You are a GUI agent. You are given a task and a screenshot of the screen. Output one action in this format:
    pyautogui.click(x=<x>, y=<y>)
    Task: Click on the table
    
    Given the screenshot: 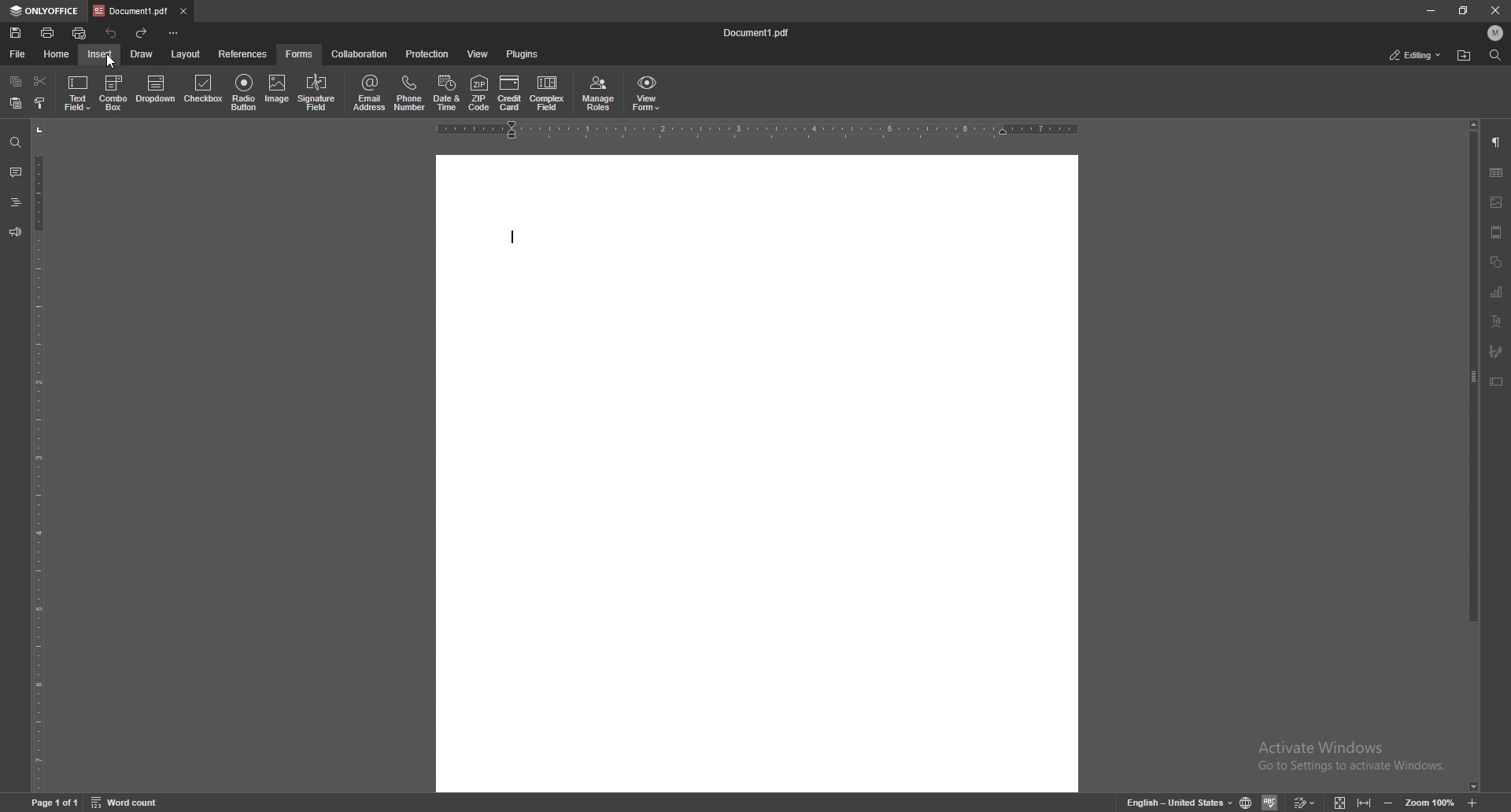 What is the action you would take?
    pyautogui.click(x=1498, y=173)
    